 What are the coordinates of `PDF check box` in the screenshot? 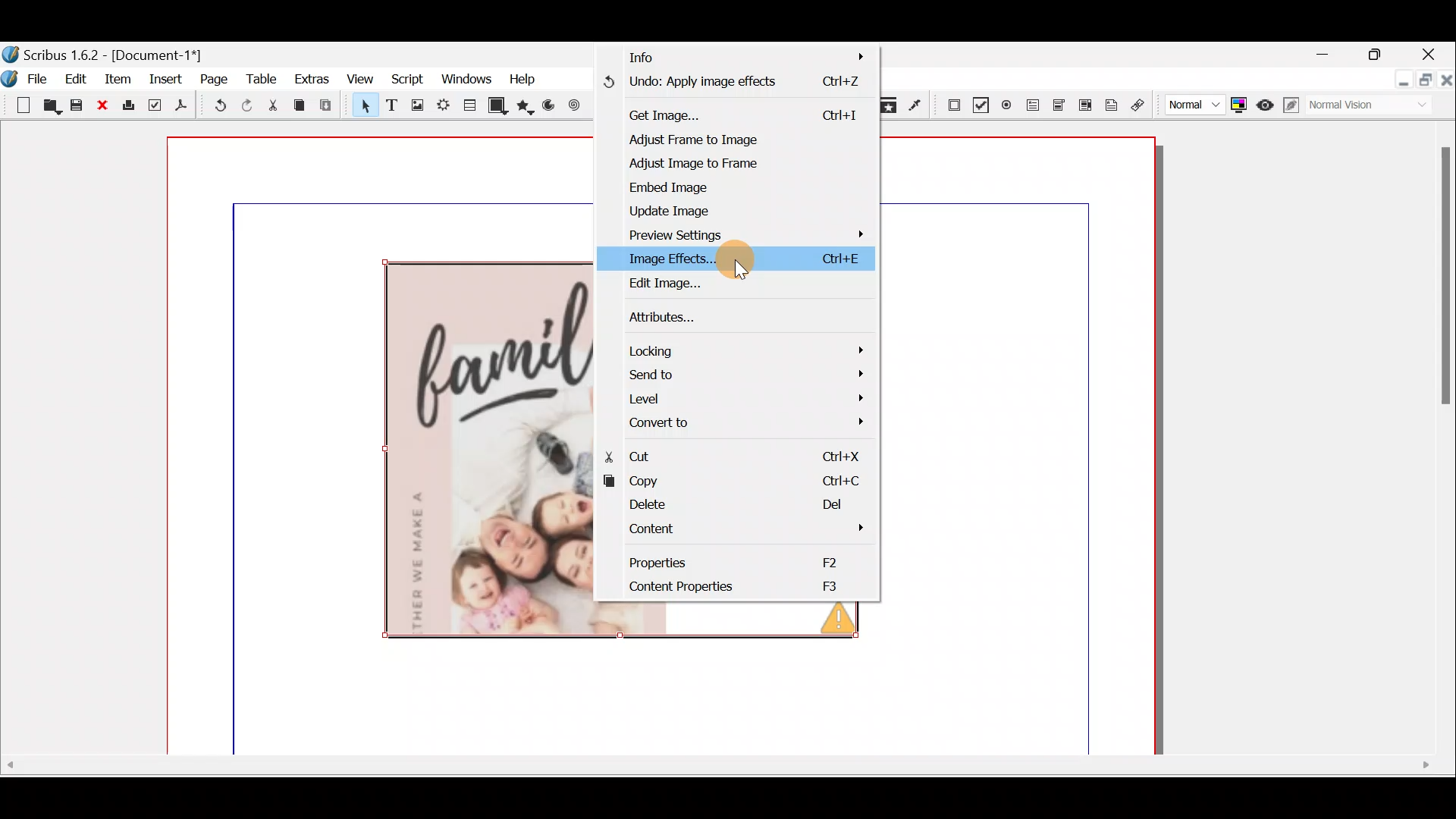 It's located at (977, 102).